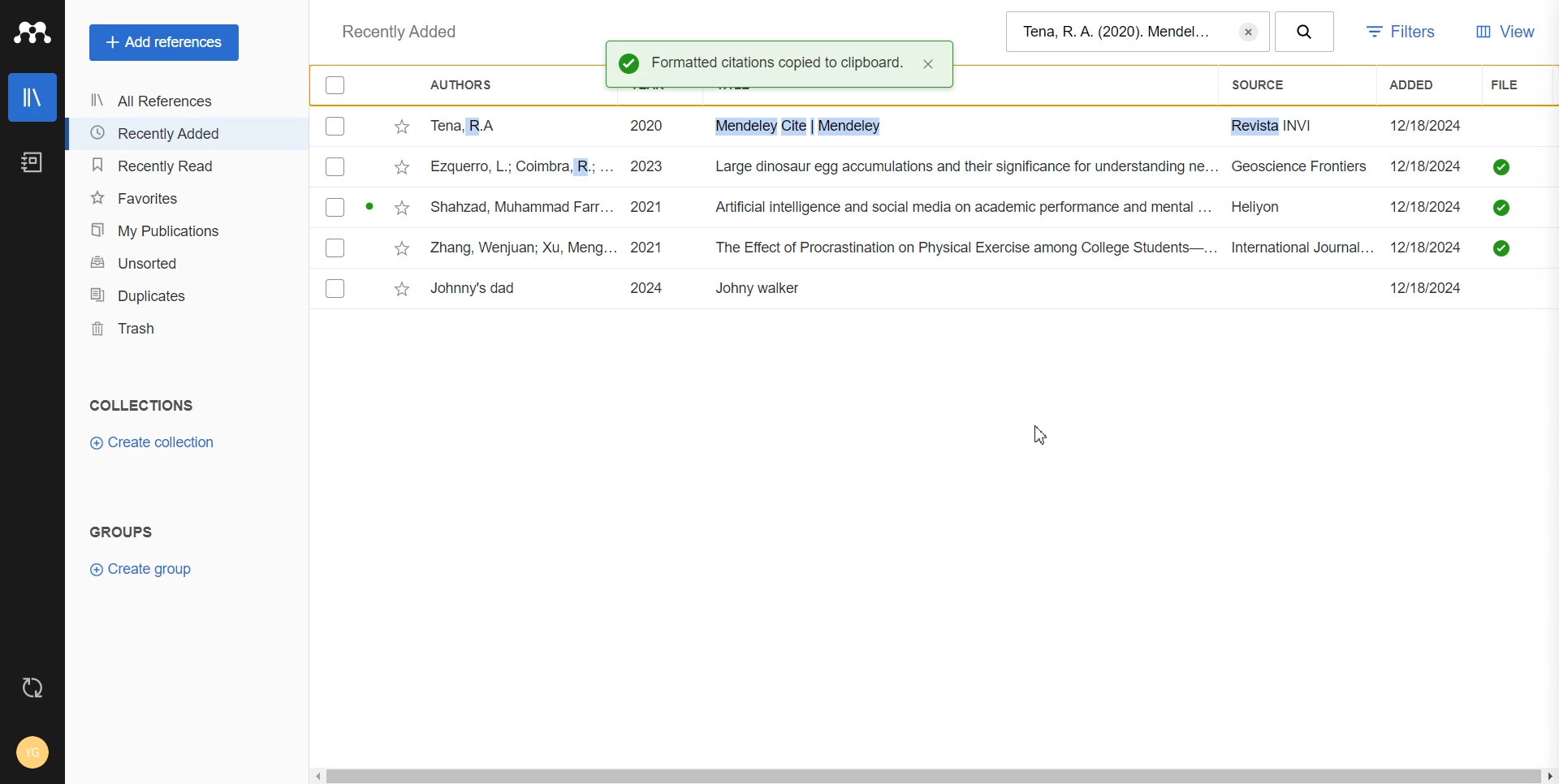 The width and height of the screenshot is (1559, 784). I want to click on ezquerro, L.; Coimbra, R.; ... 2023 Large dinosaur egg accumulations and their significance for understanding ne... Geoscience Frontiers, so click(904, 167).